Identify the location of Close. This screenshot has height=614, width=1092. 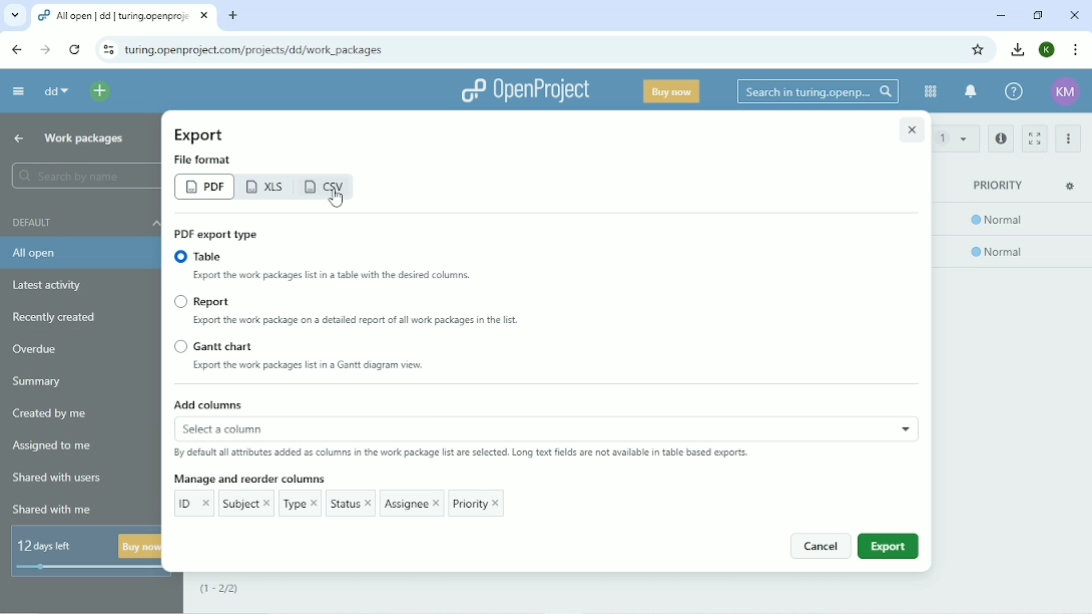
(911, 129).